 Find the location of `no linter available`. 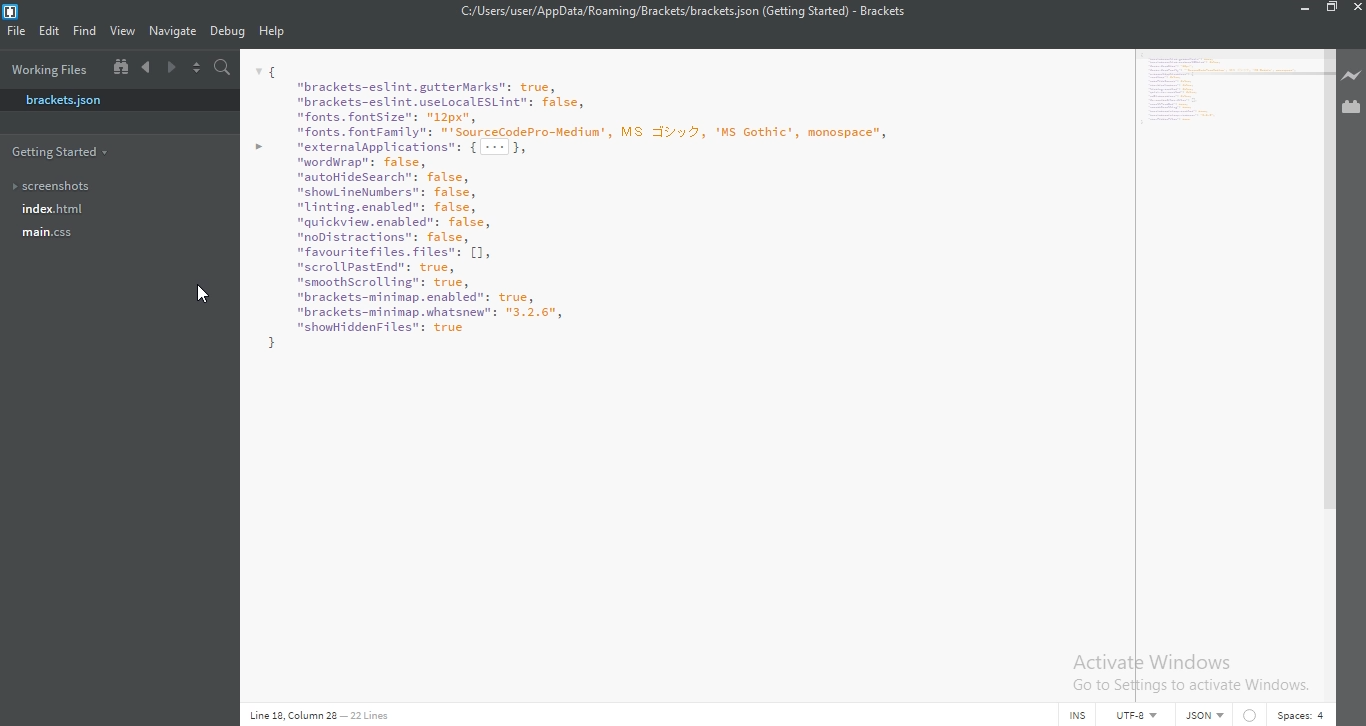

no linter available is located at coordinates (1250, 716).